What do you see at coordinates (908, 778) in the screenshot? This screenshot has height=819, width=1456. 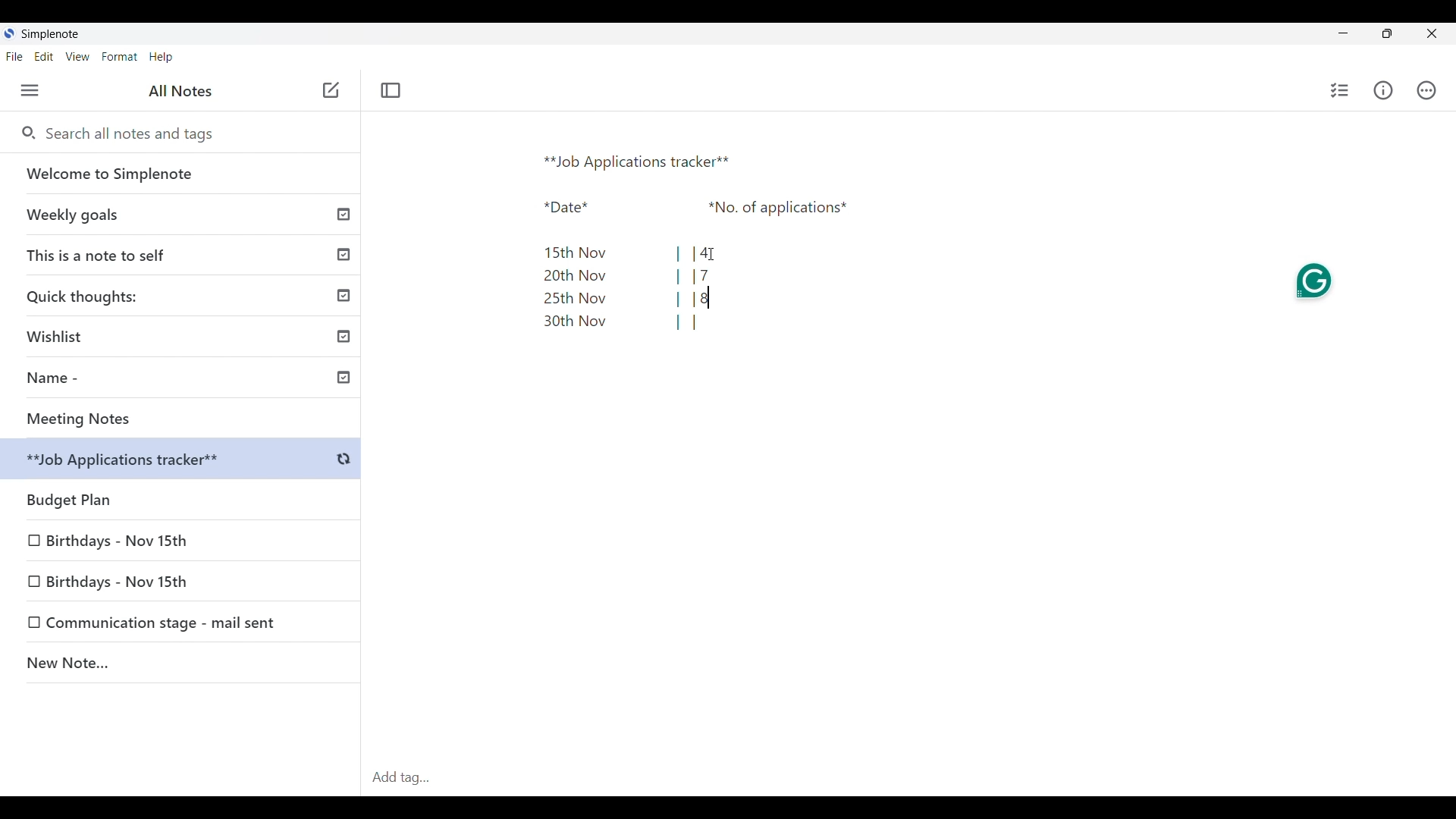 I see `Click to type in tag` at bounding box center [908, 778].